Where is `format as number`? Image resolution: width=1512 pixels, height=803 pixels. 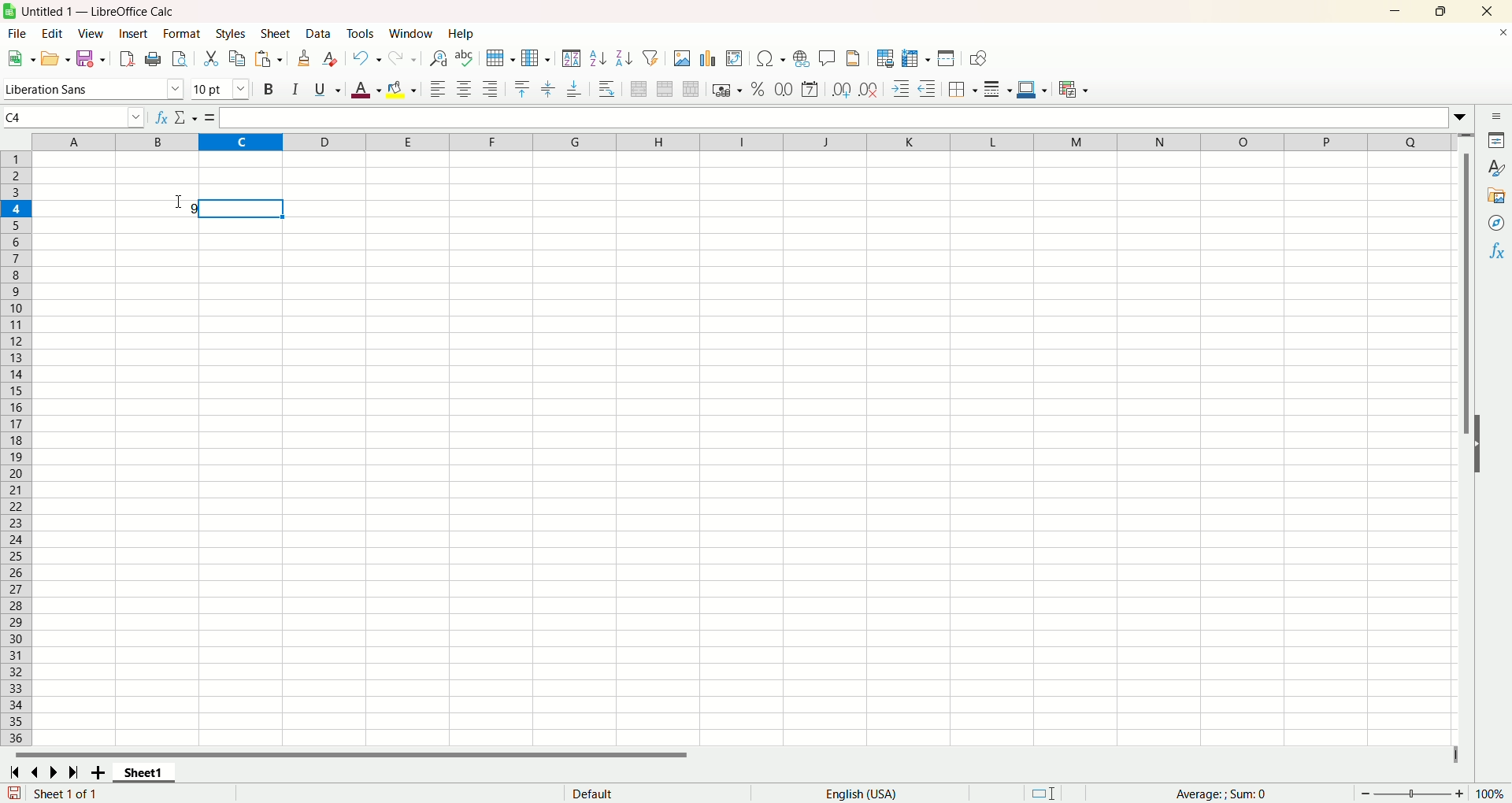
format as number is located at coordinates (784, 89).